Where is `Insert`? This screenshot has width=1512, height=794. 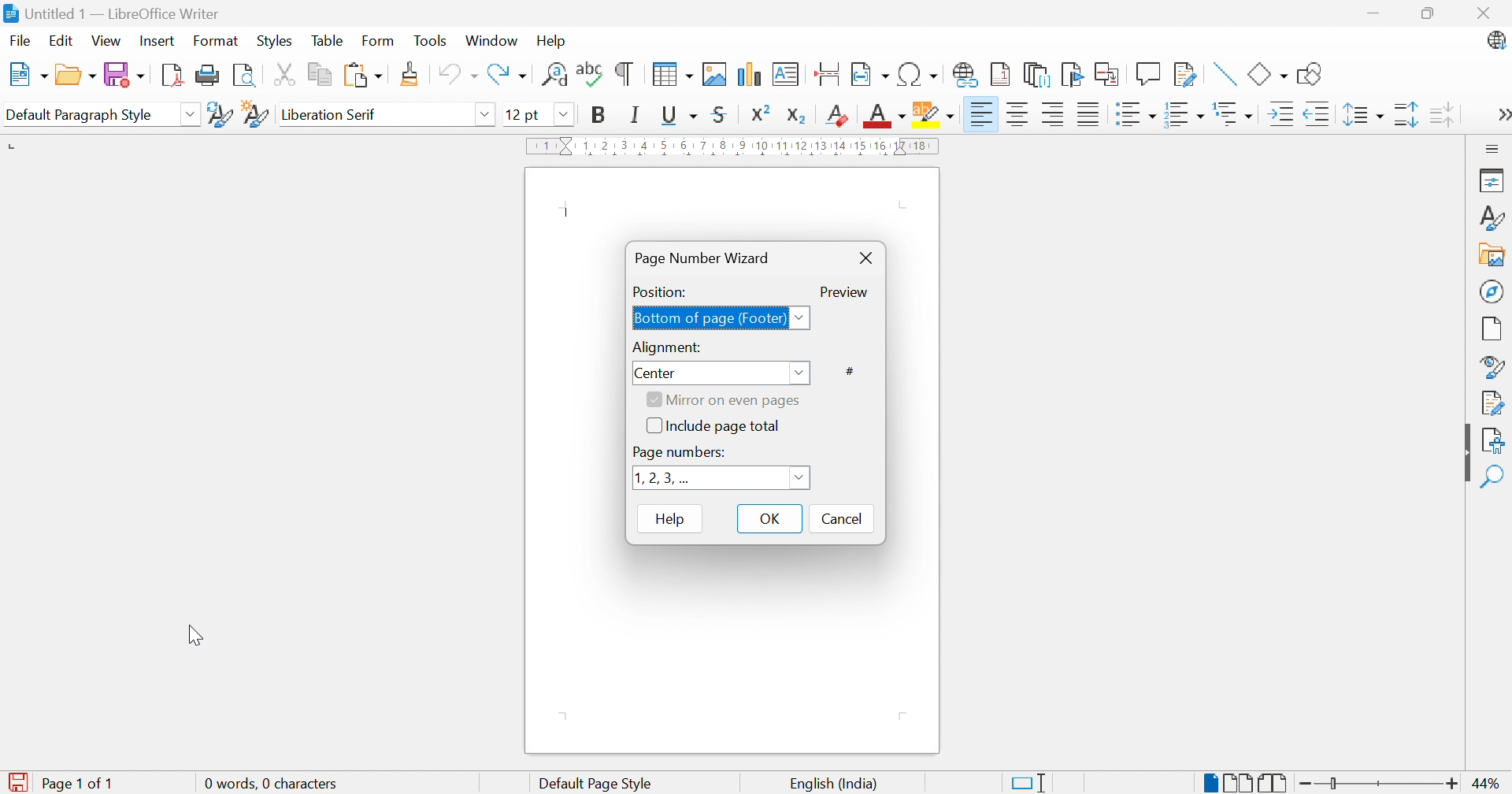
Insert is located at coordinates (156, 42).